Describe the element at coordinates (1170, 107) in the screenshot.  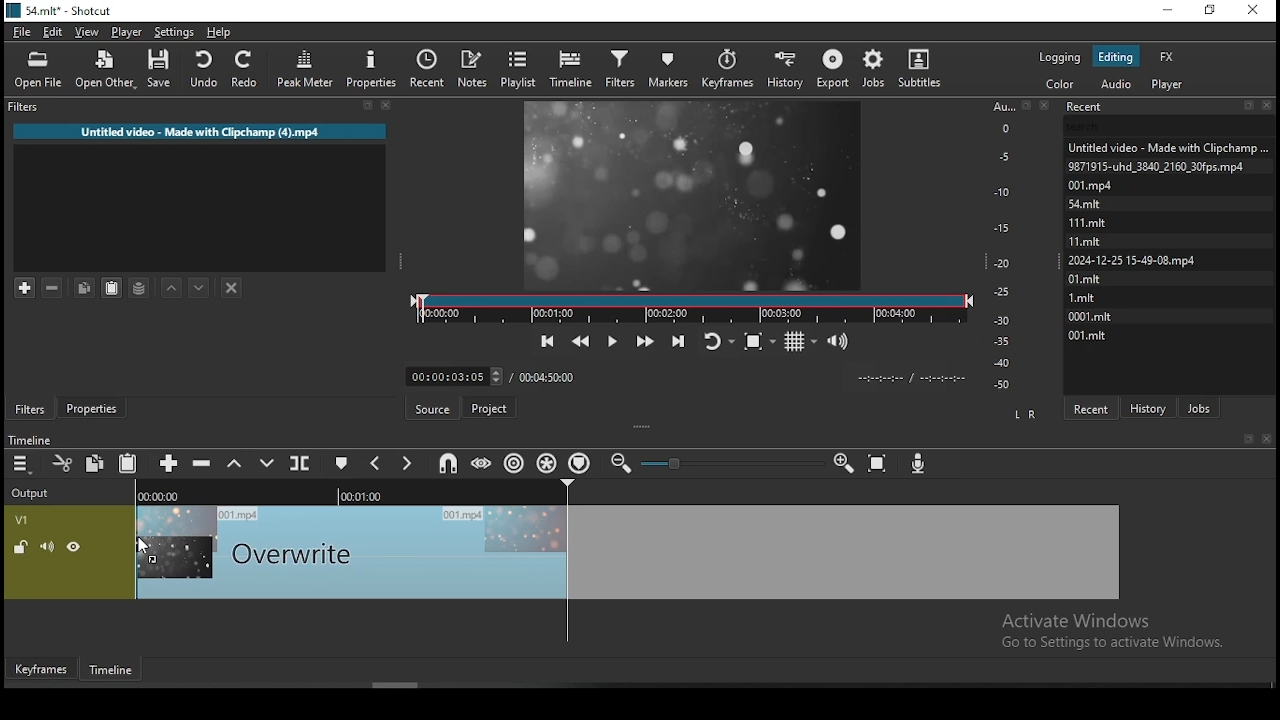
I see `Recent` at that location.